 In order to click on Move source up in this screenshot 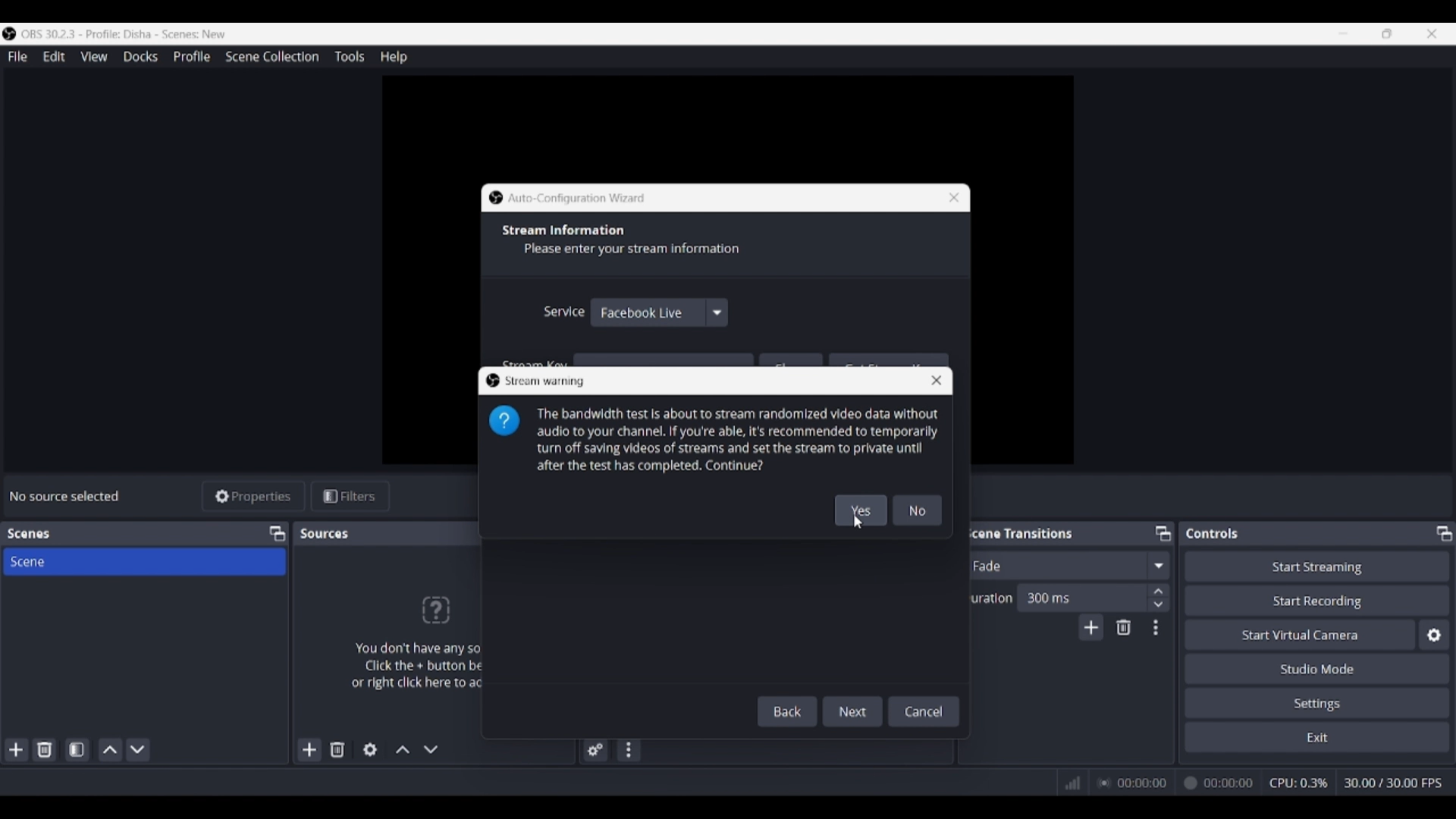, I will do `click(403, 749)`.